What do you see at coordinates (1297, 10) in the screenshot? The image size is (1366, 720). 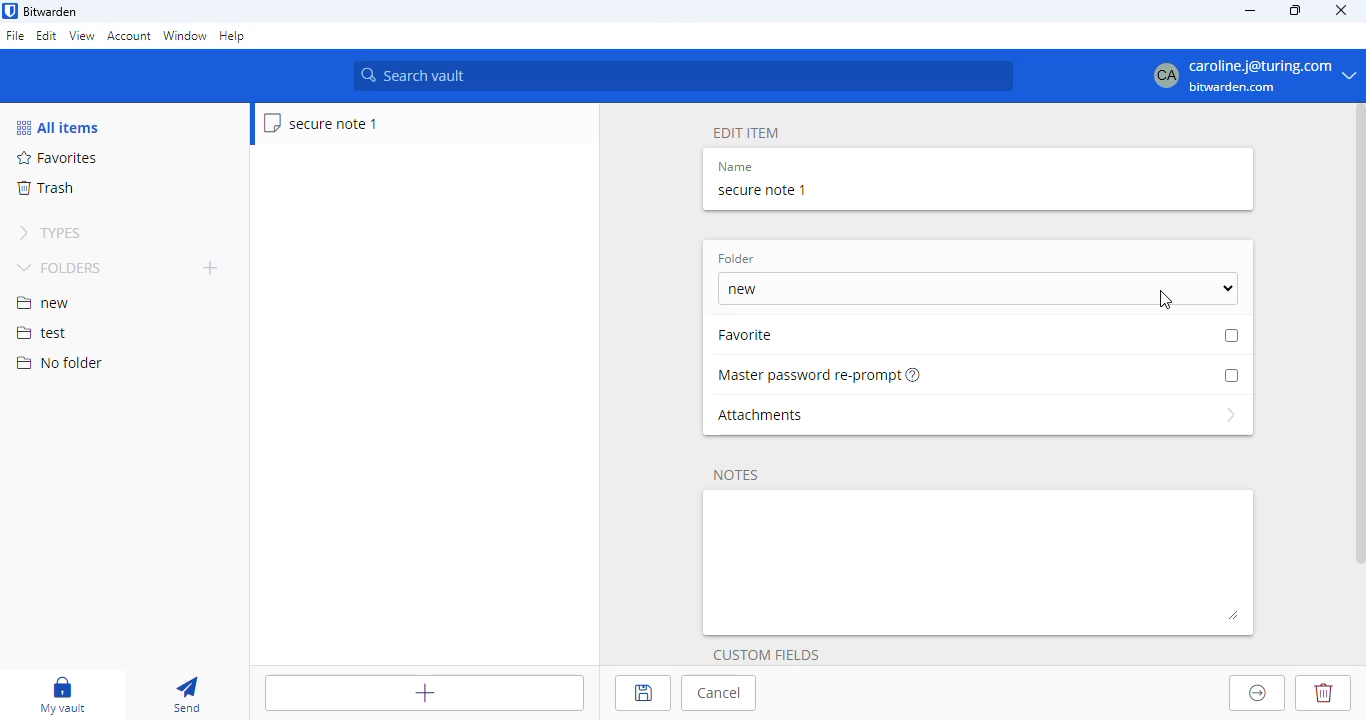 I see `maximize` at bounding box center [1297, 10].